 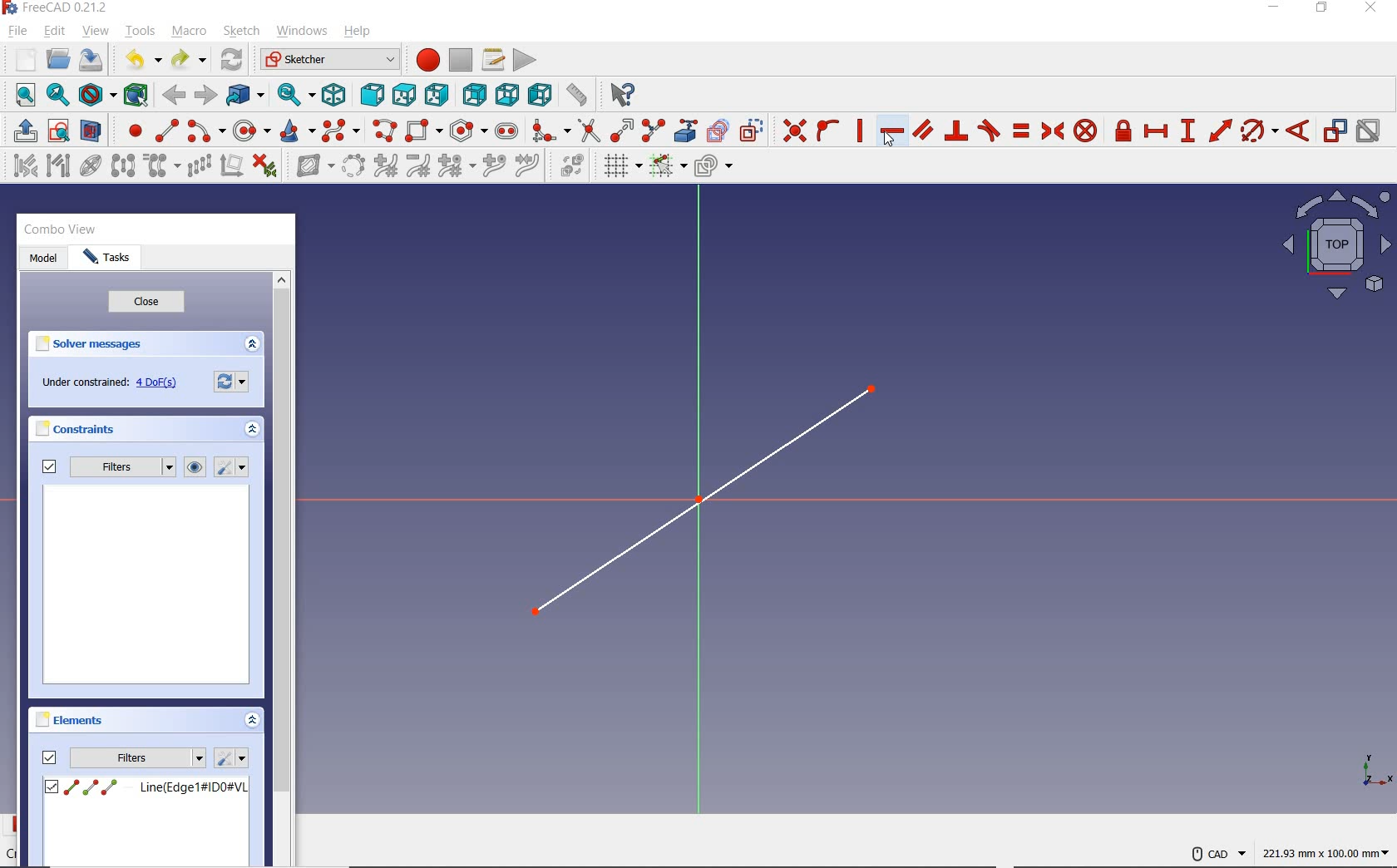 What do you see at coordinates (252, 722) in the screenshot?
I see `COLLAPSE` at bounding box center [252, 722].